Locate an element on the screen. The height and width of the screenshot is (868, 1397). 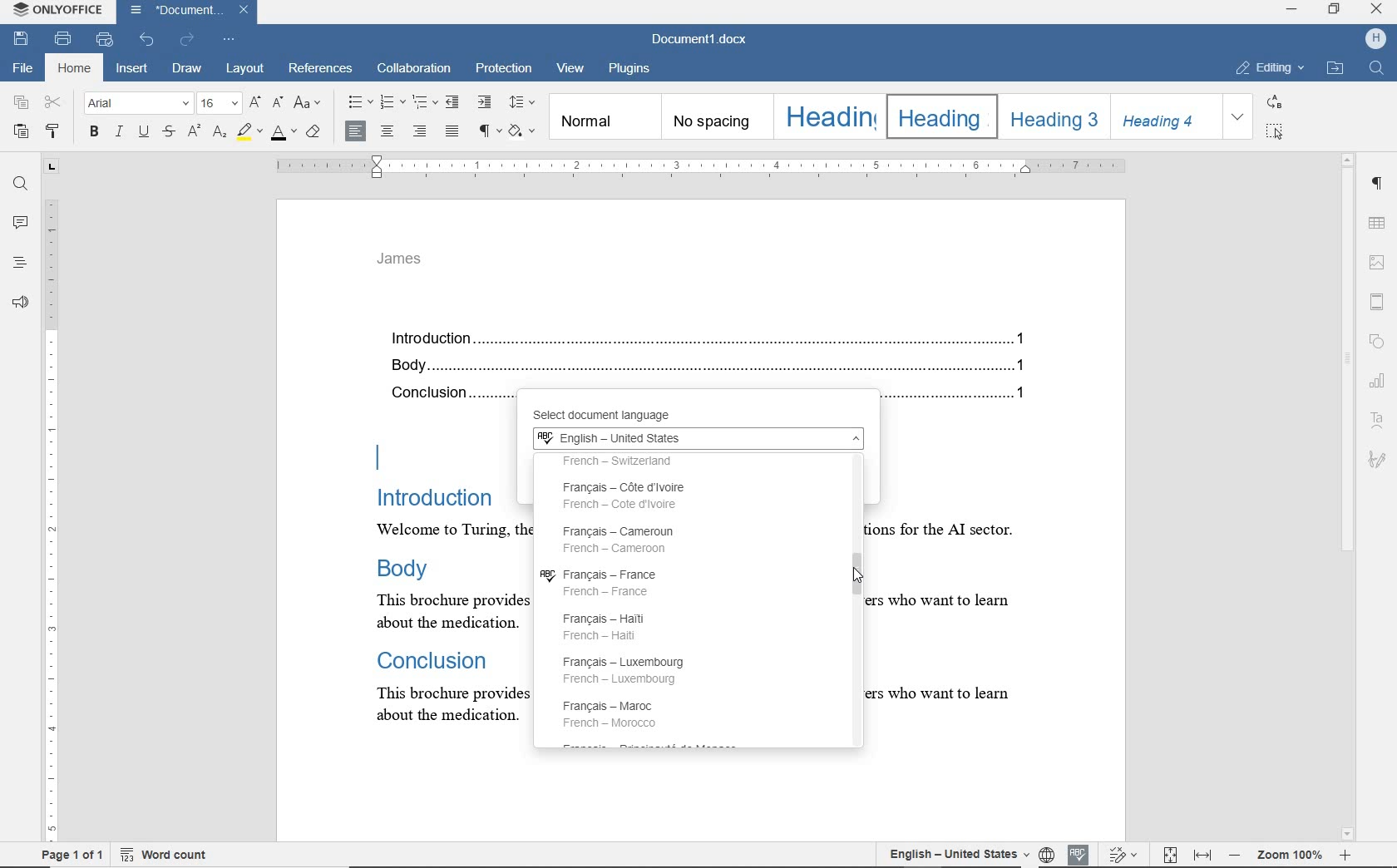
align center is located at coordinates (387, 132).